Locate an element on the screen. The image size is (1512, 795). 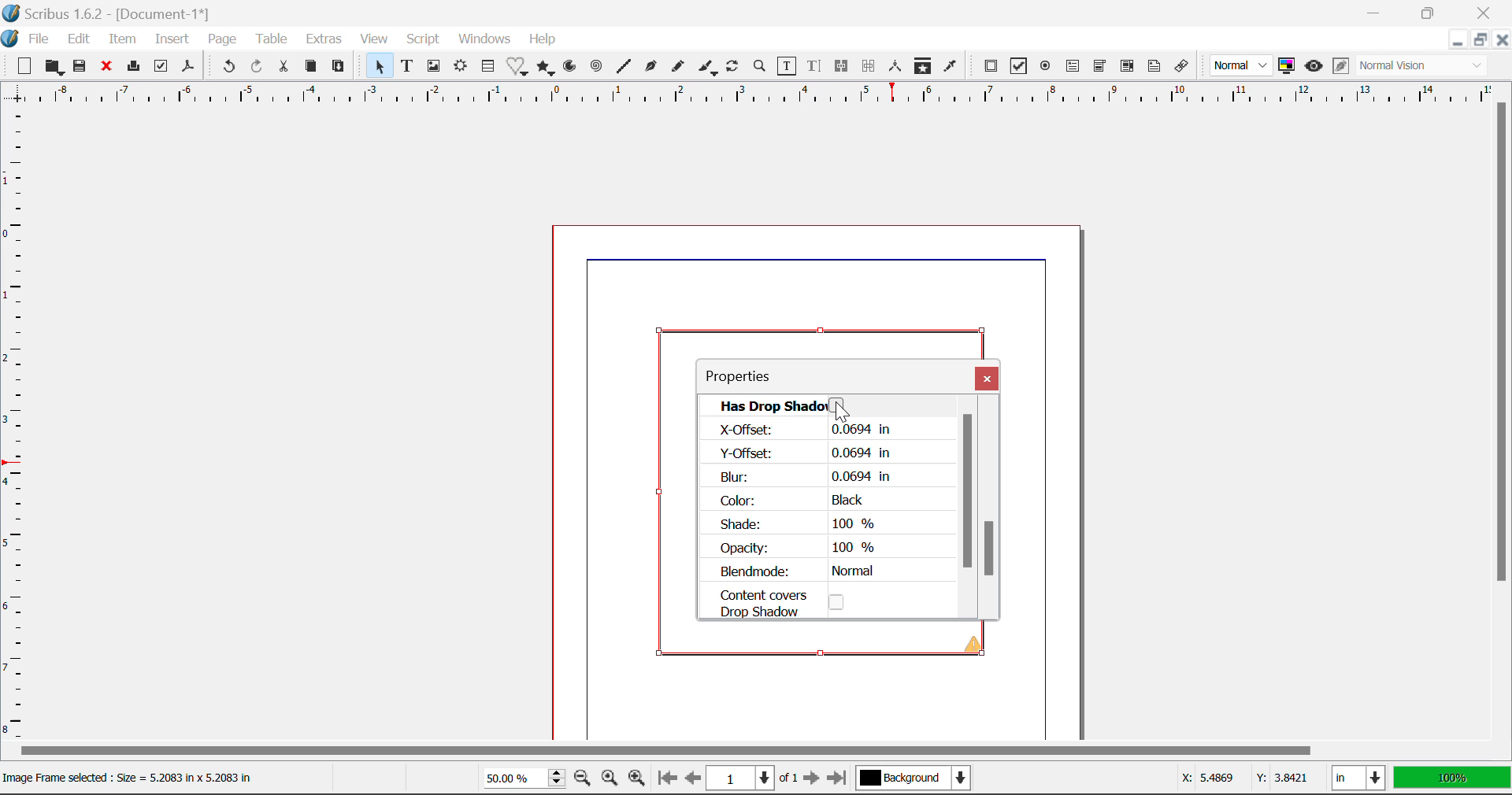
Item is located at coordinates (123, 40).